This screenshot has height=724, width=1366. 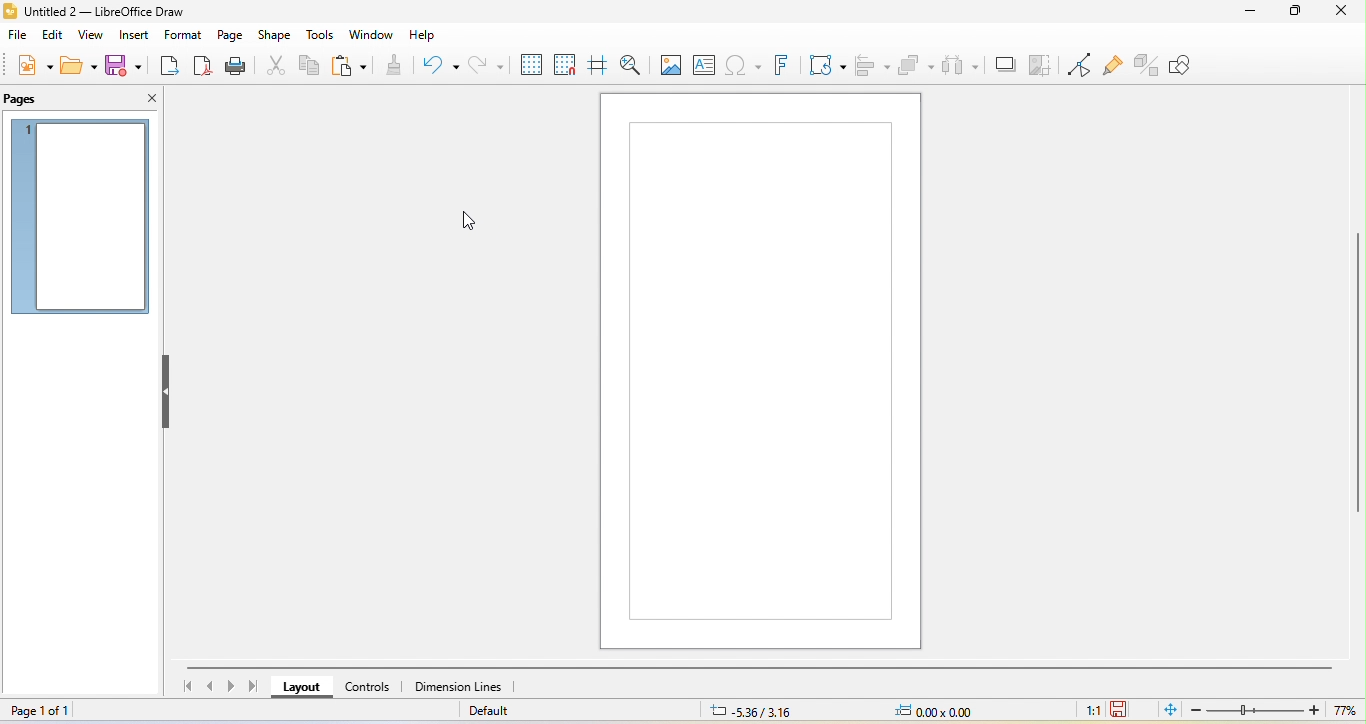 What do you see at coordinates (703, 65) in the screenshot?
I see `text box` at bounding box center [703, 65].